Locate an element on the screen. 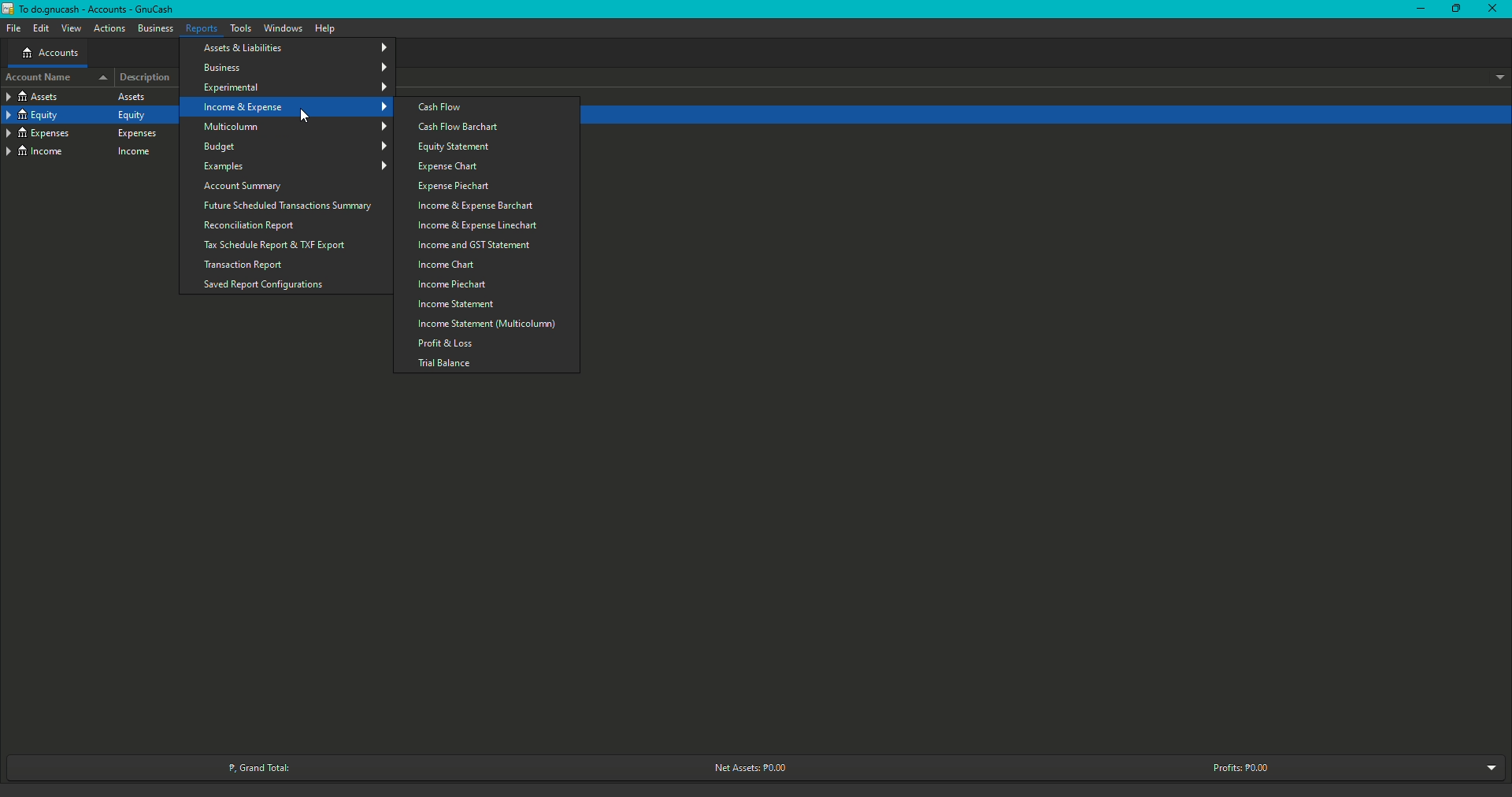 The width and height of the screenshot is (1512, 797). Trial balance is located at coordinates (445, 362).